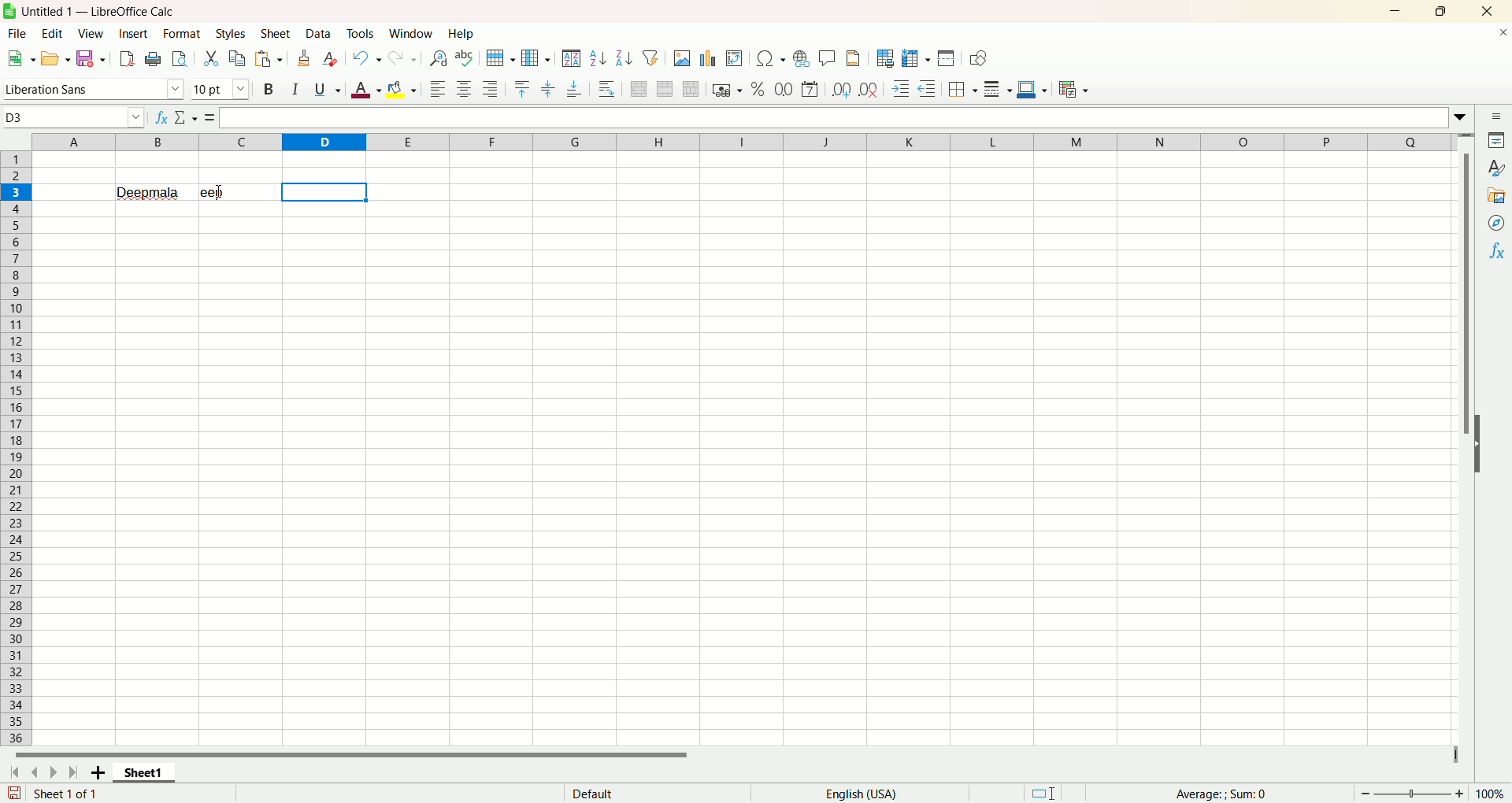 Image resolution: width=1512 pixels, height=803 pixels. Describe the element at coordinates (840, 91) in the screenshot. I see `Add decimal place` at that location.